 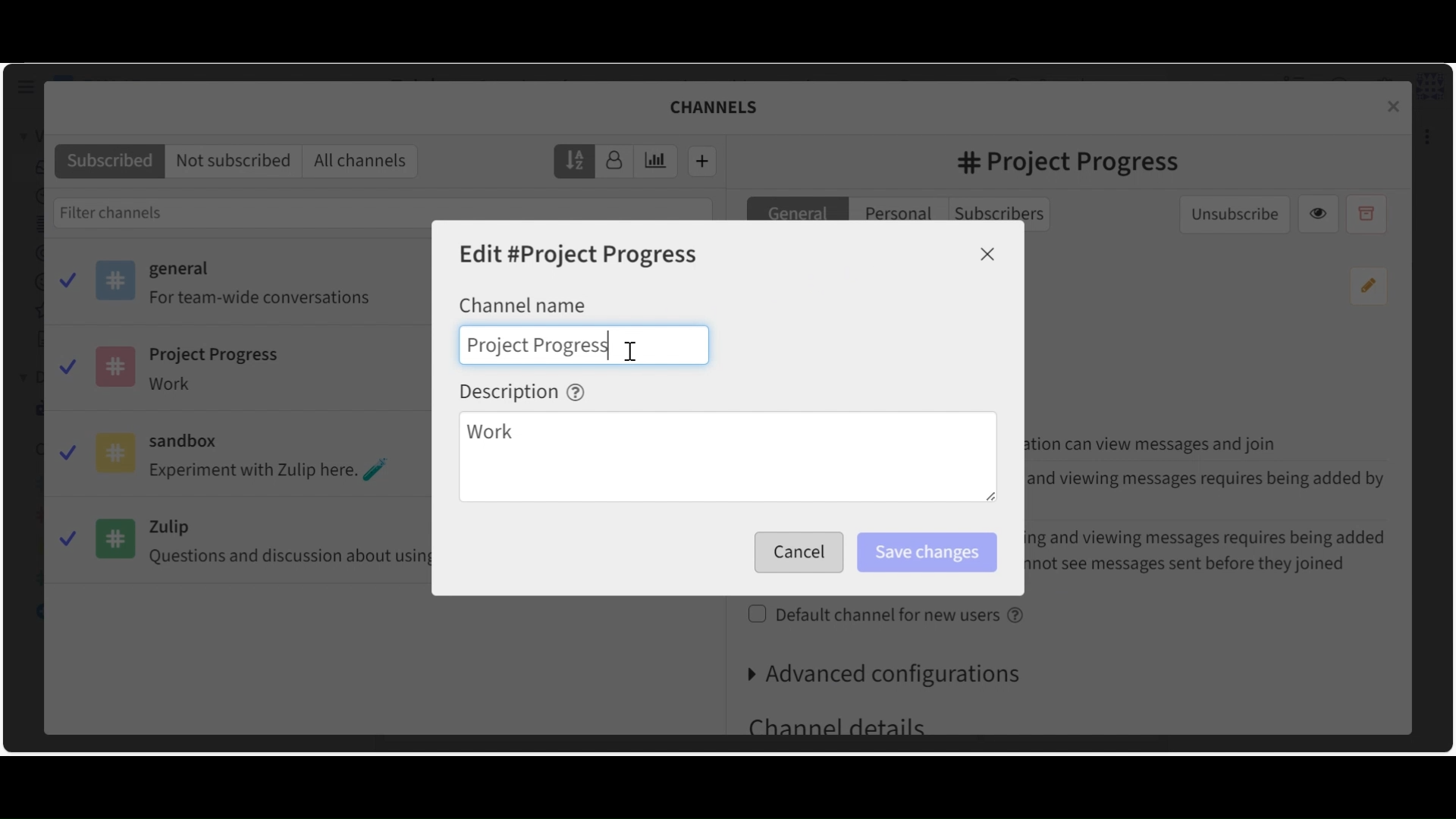 I want to click on Description Field, so click(x=727, y=459).